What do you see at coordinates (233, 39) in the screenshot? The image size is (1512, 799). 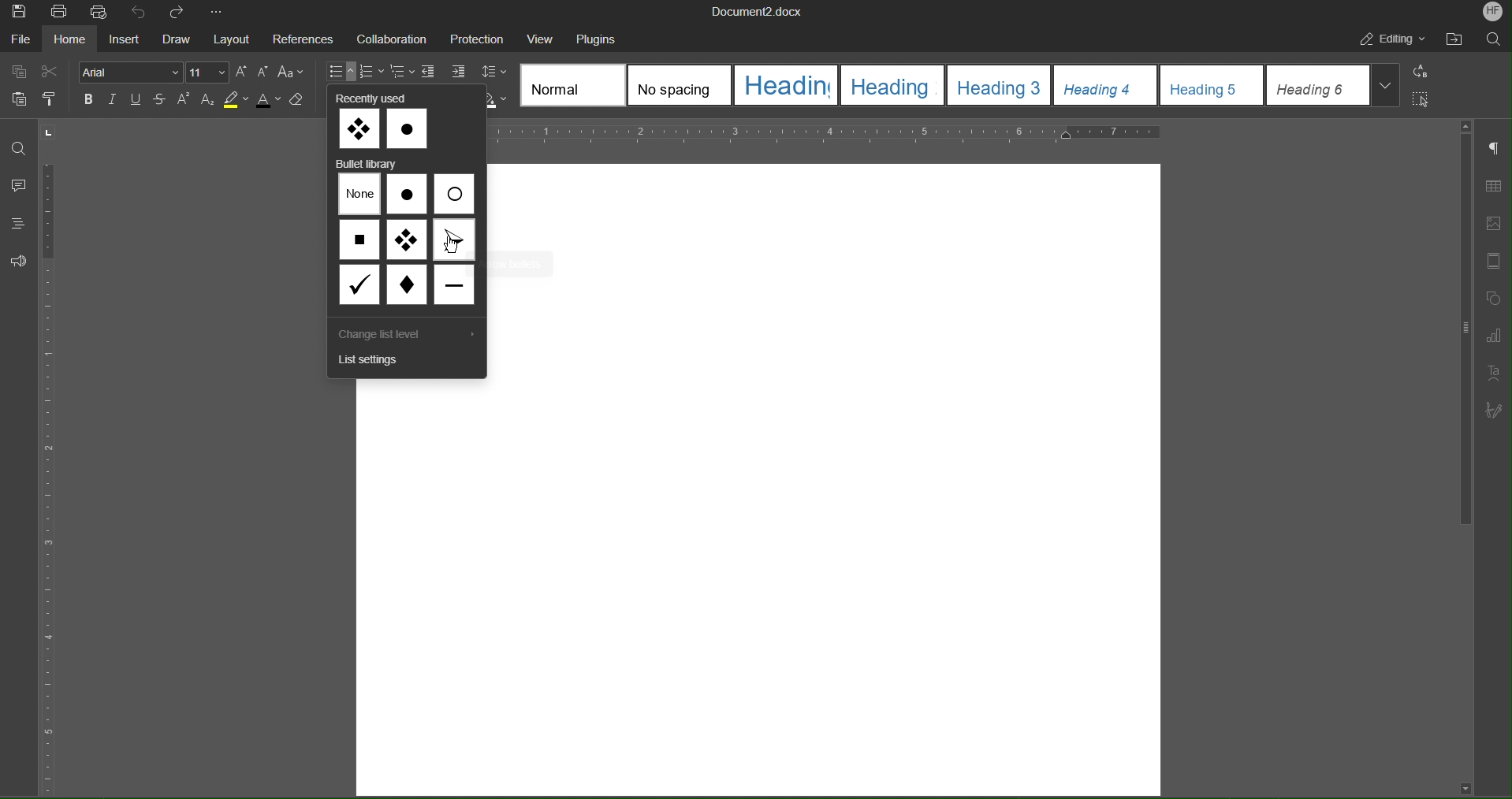 I see `Layout` at bounding box center [233, 39].